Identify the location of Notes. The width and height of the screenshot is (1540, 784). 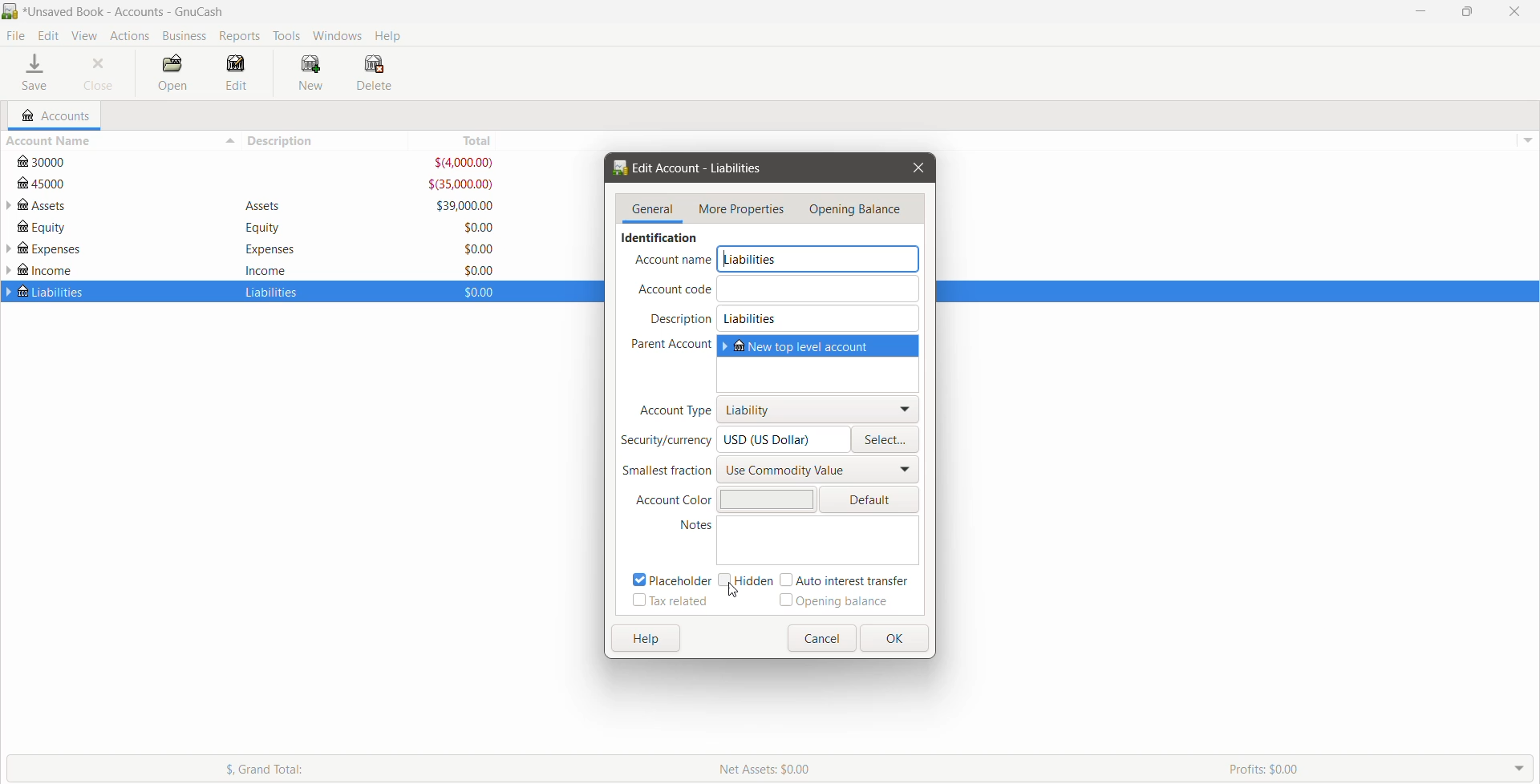
(684, 526).